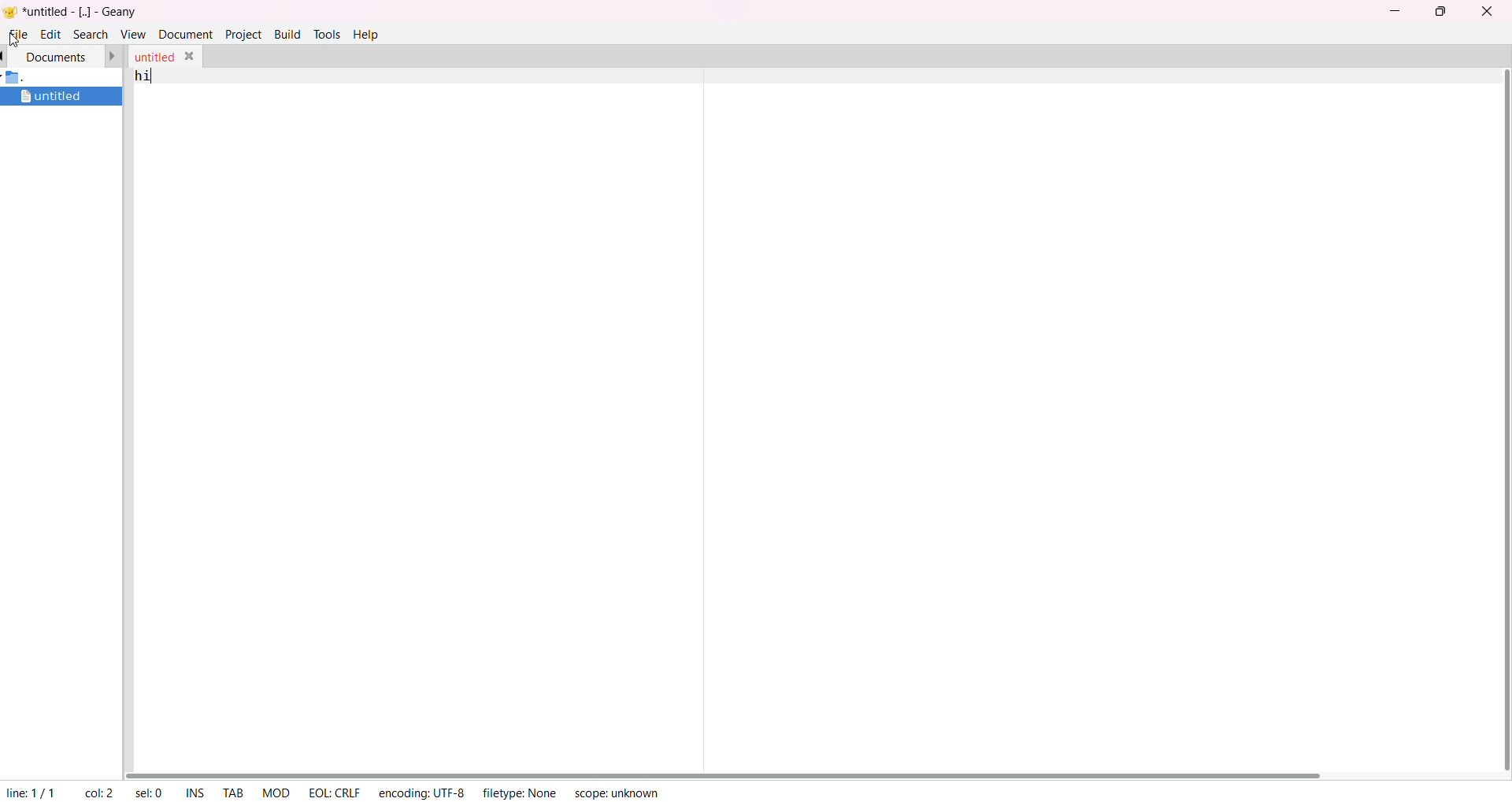  I want to click on view, so click(132, 33).